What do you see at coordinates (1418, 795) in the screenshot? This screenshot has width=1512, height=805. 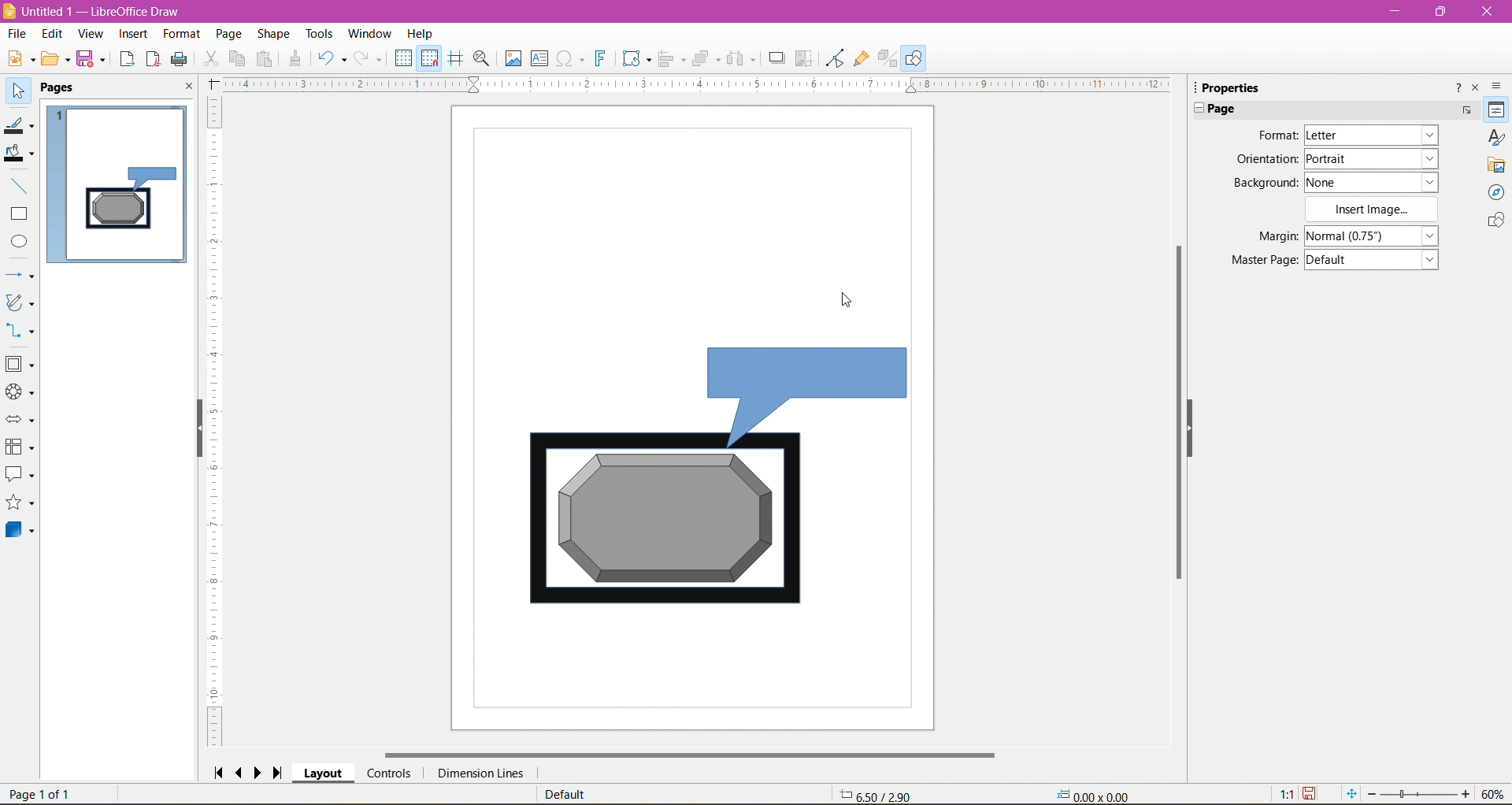 I see `slider` at bounding box center [1418, 795].